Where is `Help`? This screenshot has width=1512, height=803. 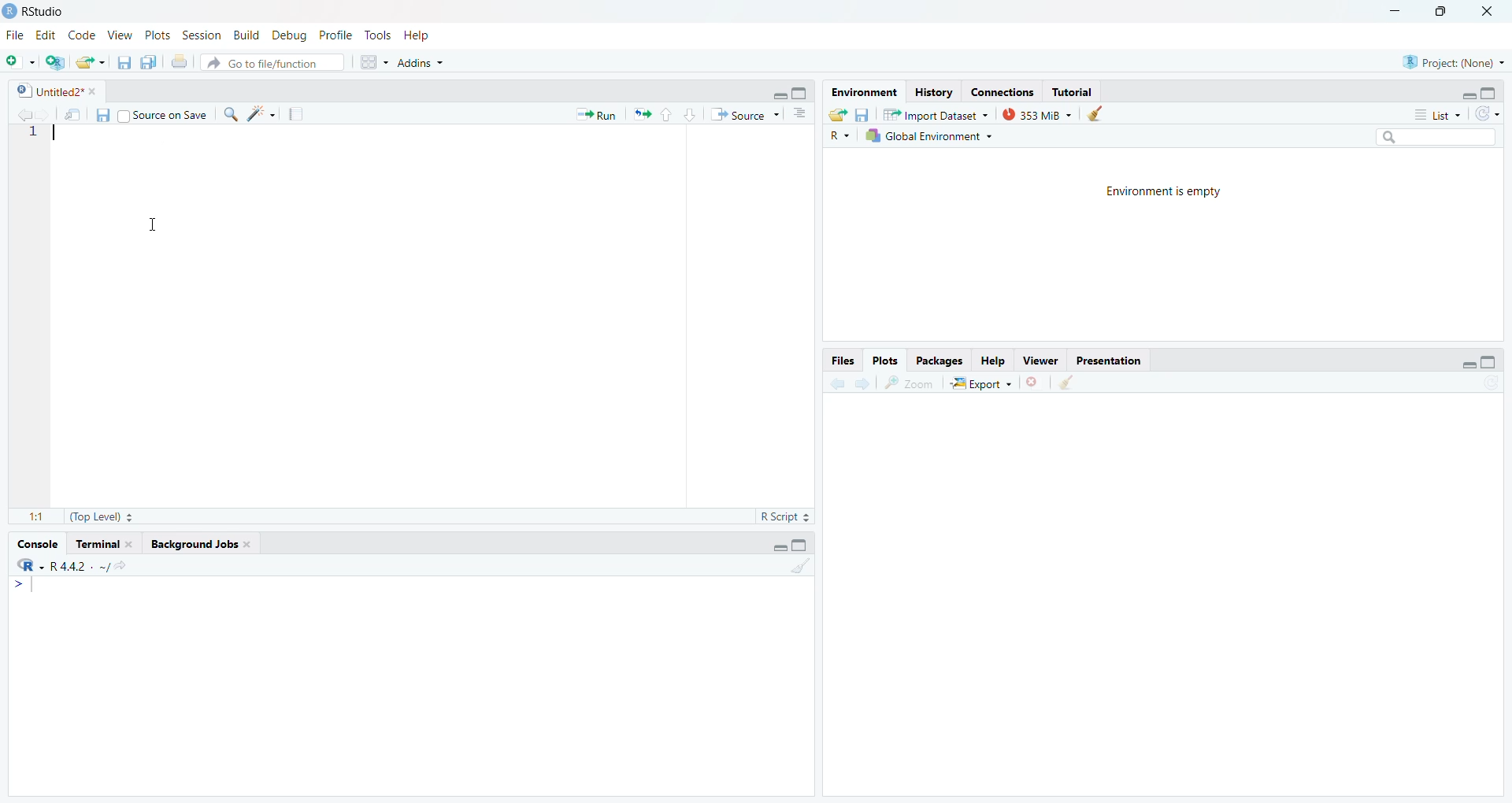
Help is located at coordinates (993, 361).